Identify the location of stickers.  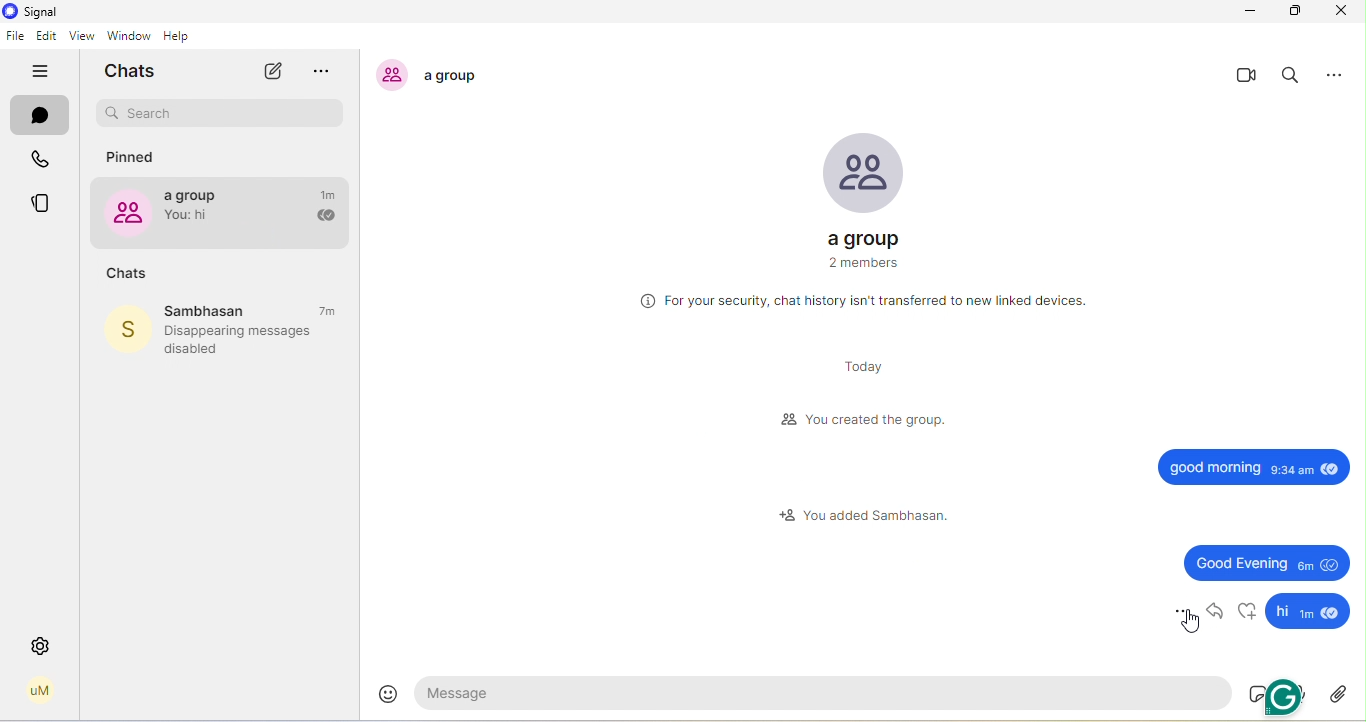
(1258, 692).